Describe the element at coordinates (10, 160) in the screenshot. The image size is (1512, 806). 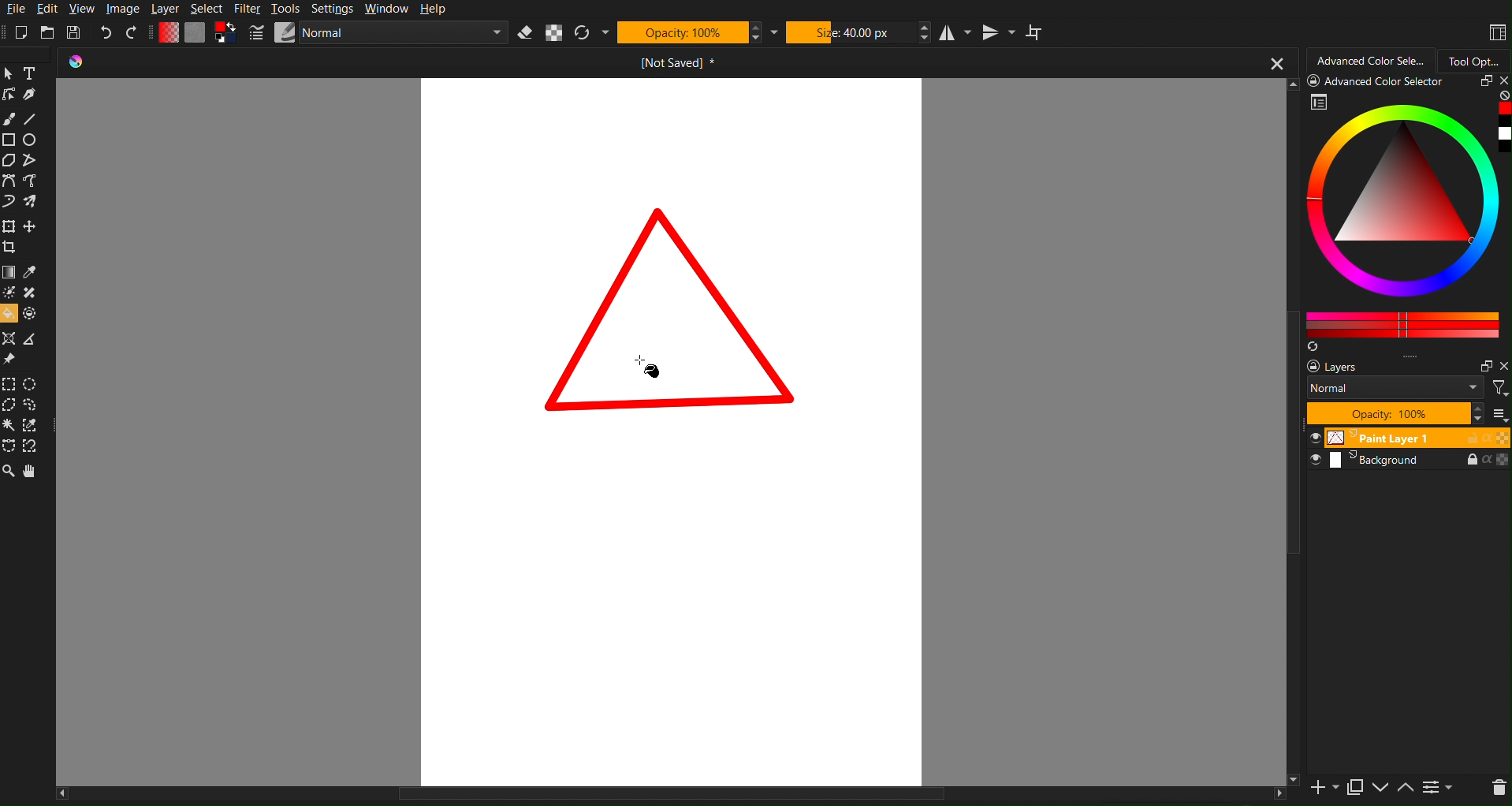
I see `polygon tool` at that location.